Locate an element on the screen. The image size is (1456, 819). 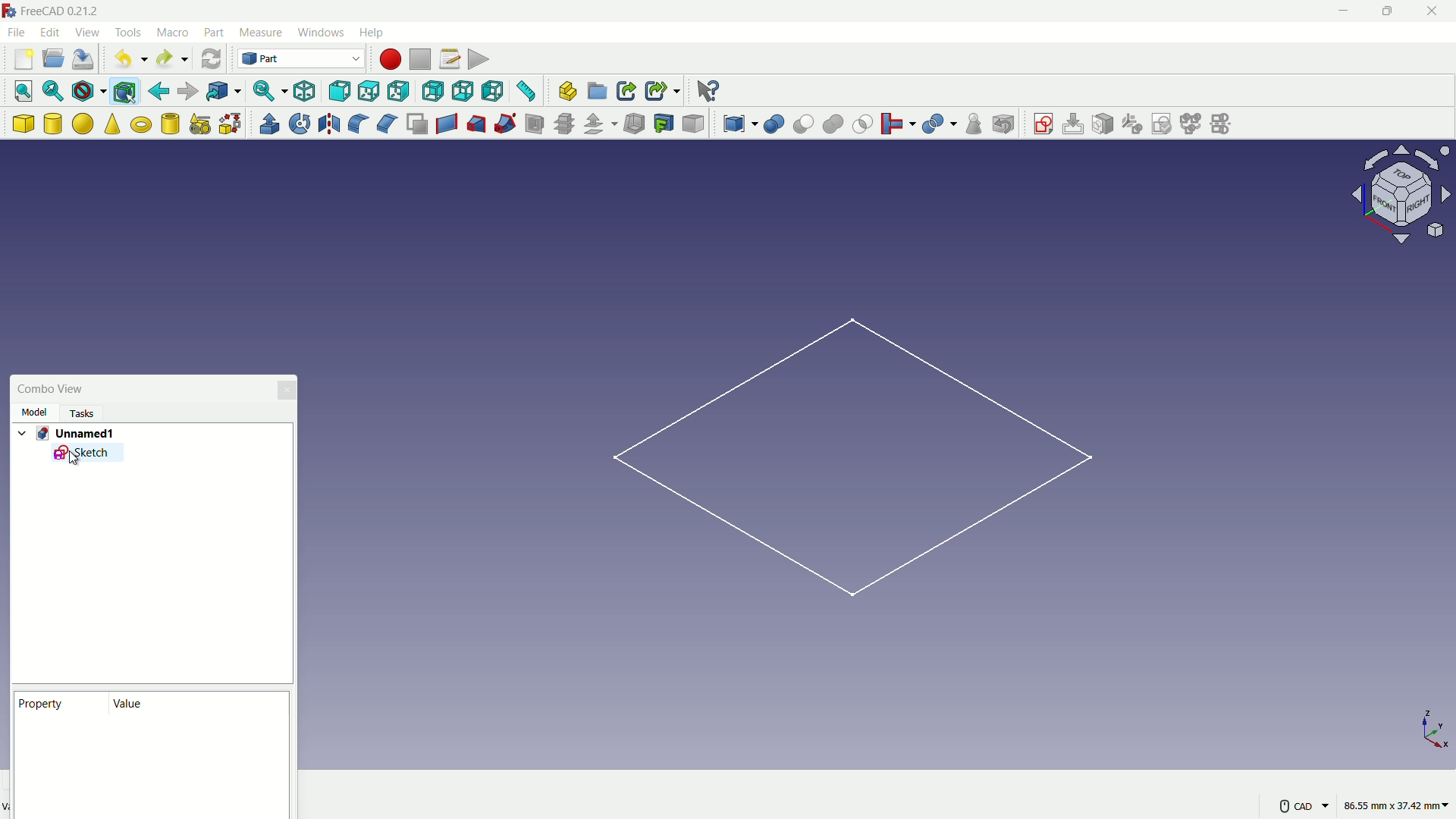
edit sketch is located at coordinates (1072, 124).